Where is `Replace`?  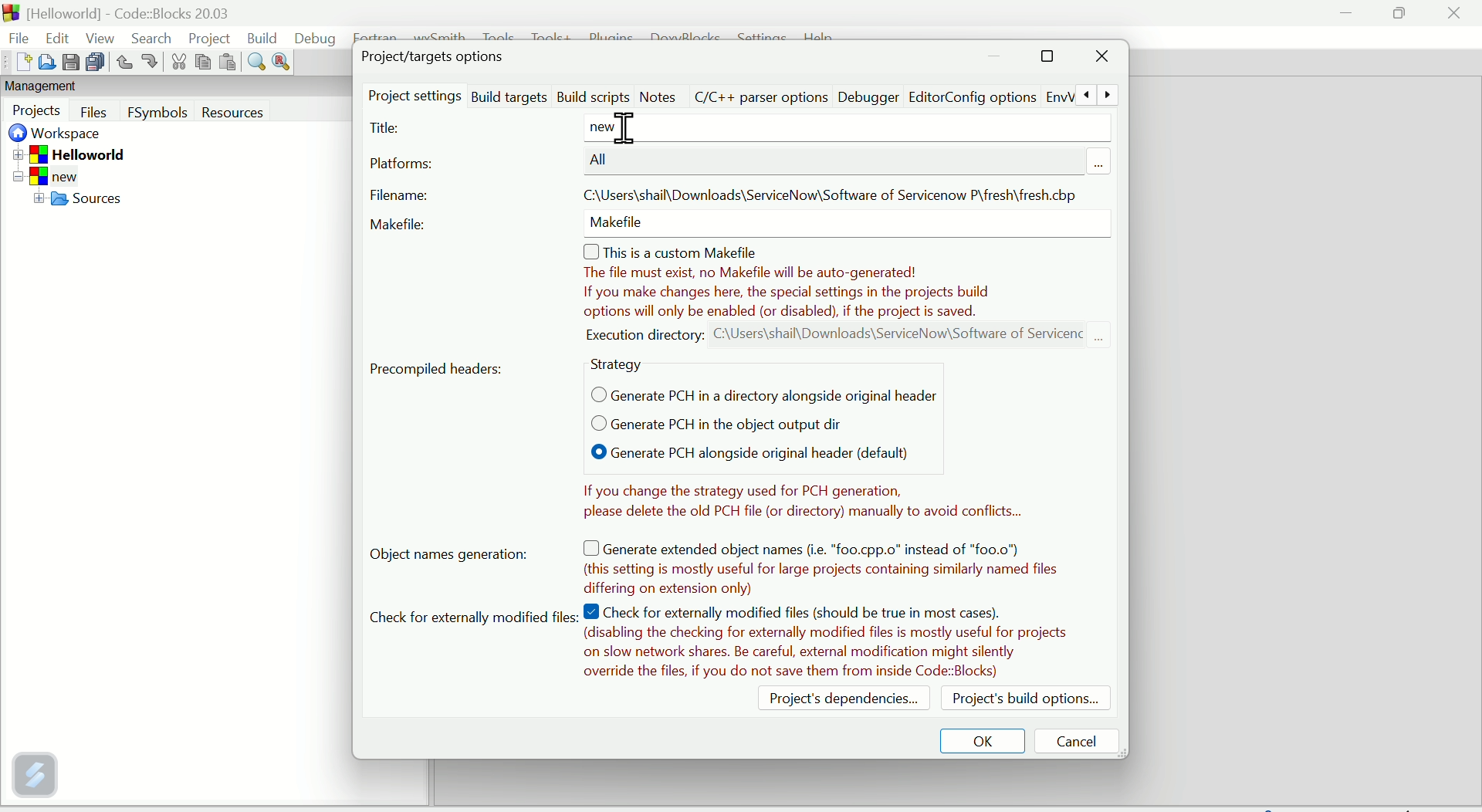 Replace is located at coordinates (281, 62).